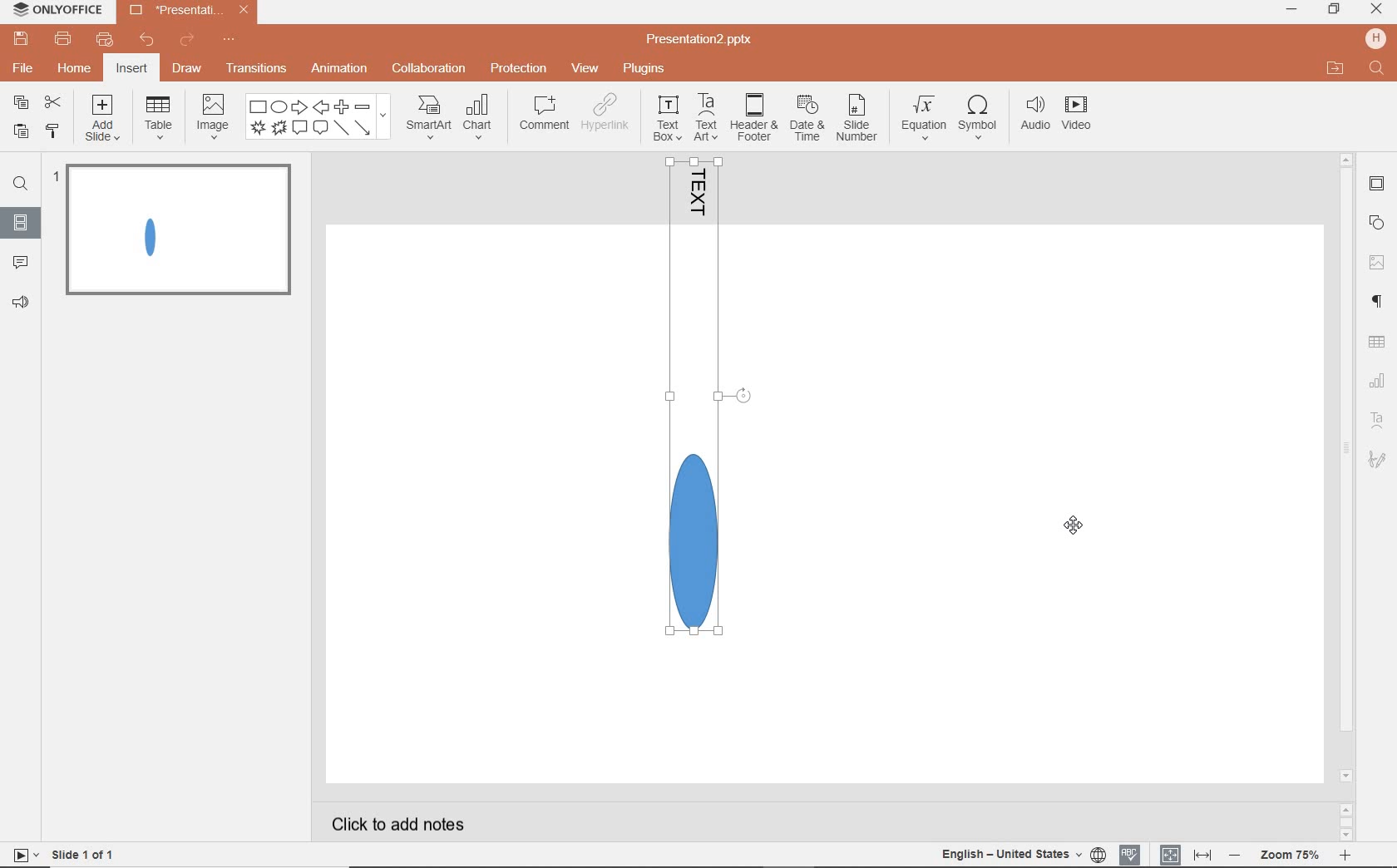 This screenshot has width=1397, height=868. What do you see at coordinates (427, 70) in the screenshot?
I see `collaboration` at bounding box center [427, 70].